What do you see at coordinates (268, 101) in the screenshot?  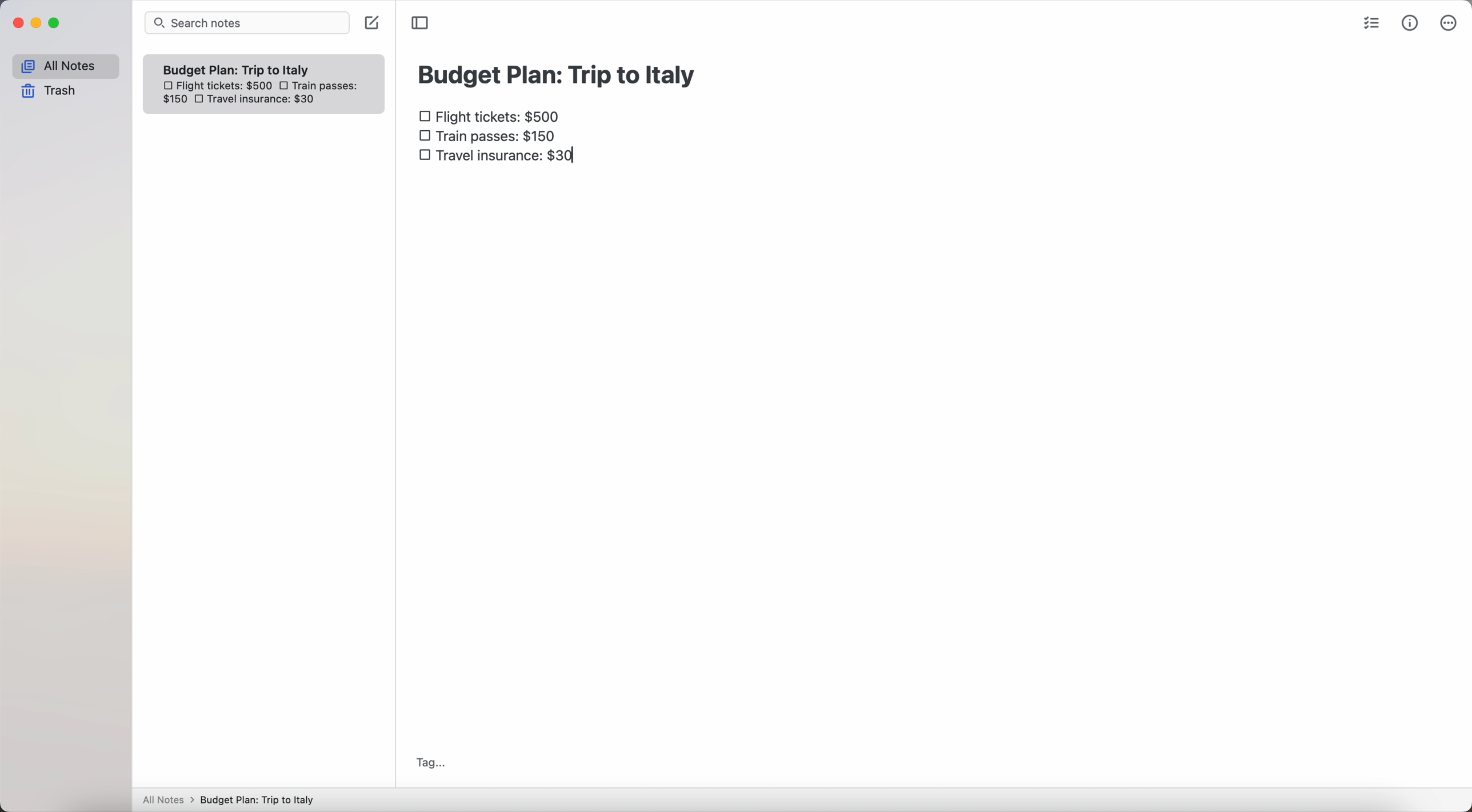 I see `travel insurance: $30` at bounding box center [268, 101].